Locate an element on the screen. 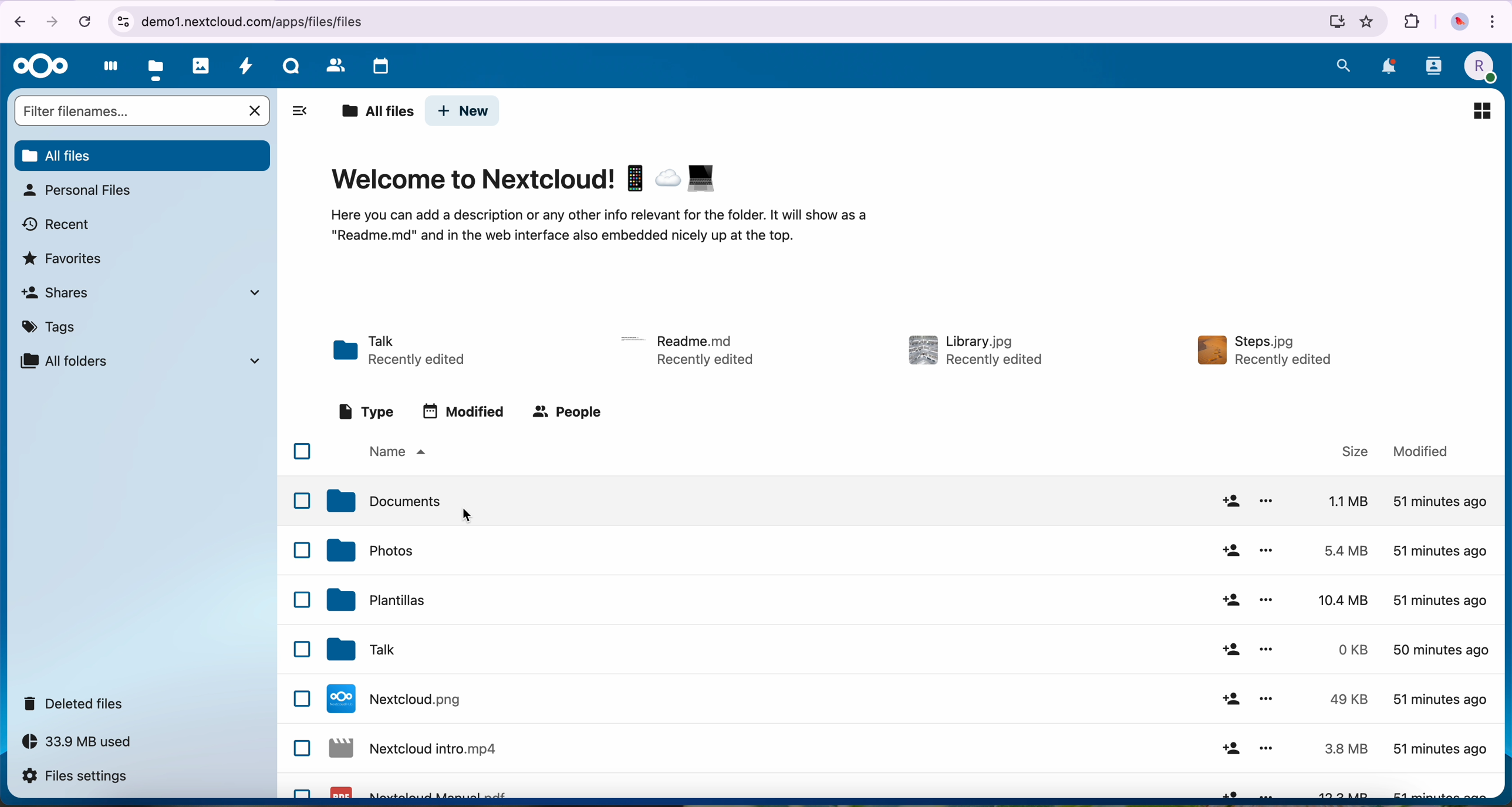  calendar is located at coordinates (378, 67).